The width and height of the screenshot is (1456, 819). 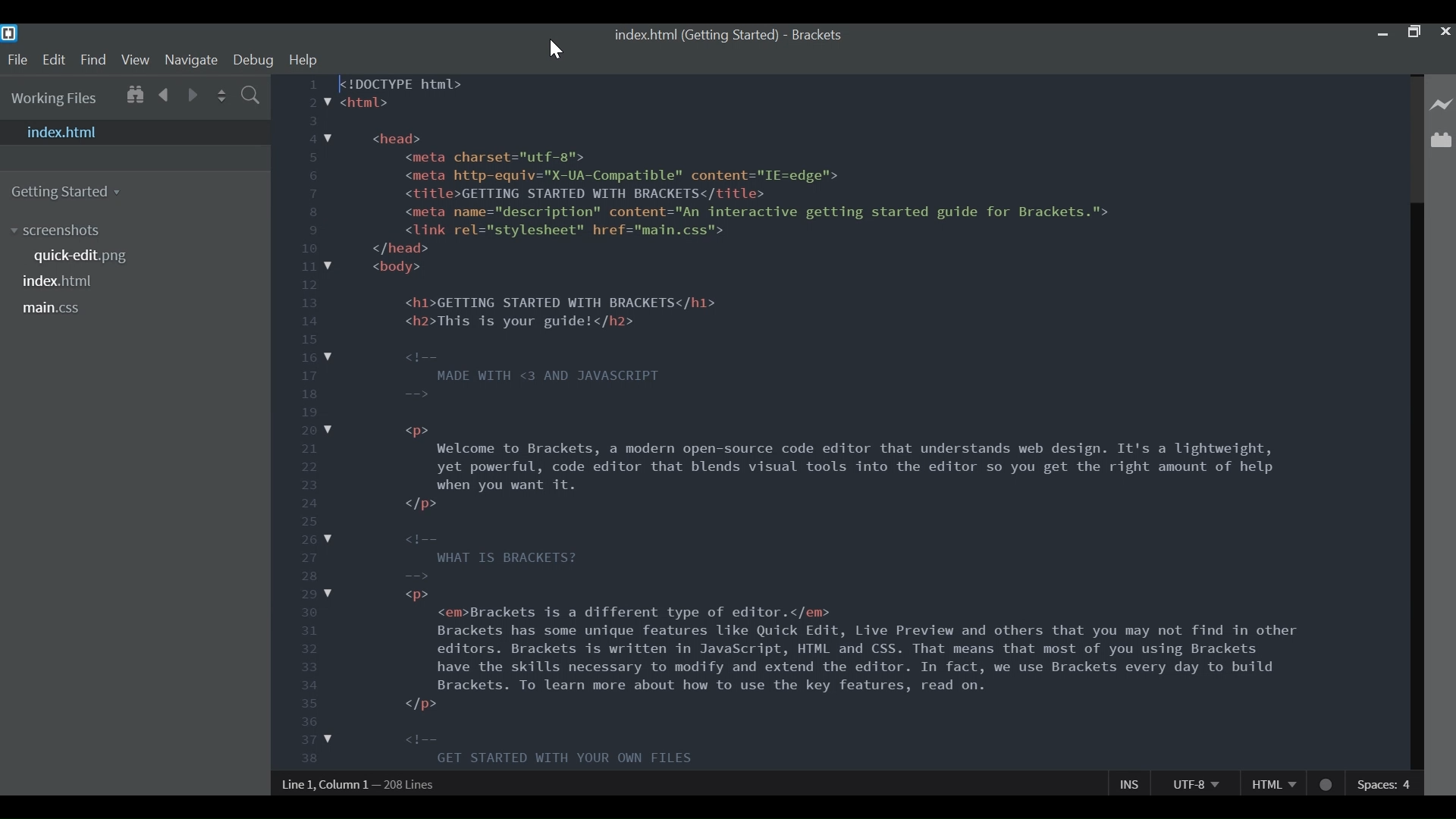 What do you see at coordinates (1385, 32) in the screenshot?
I see `minimize` at bounding box center [1385, 32].